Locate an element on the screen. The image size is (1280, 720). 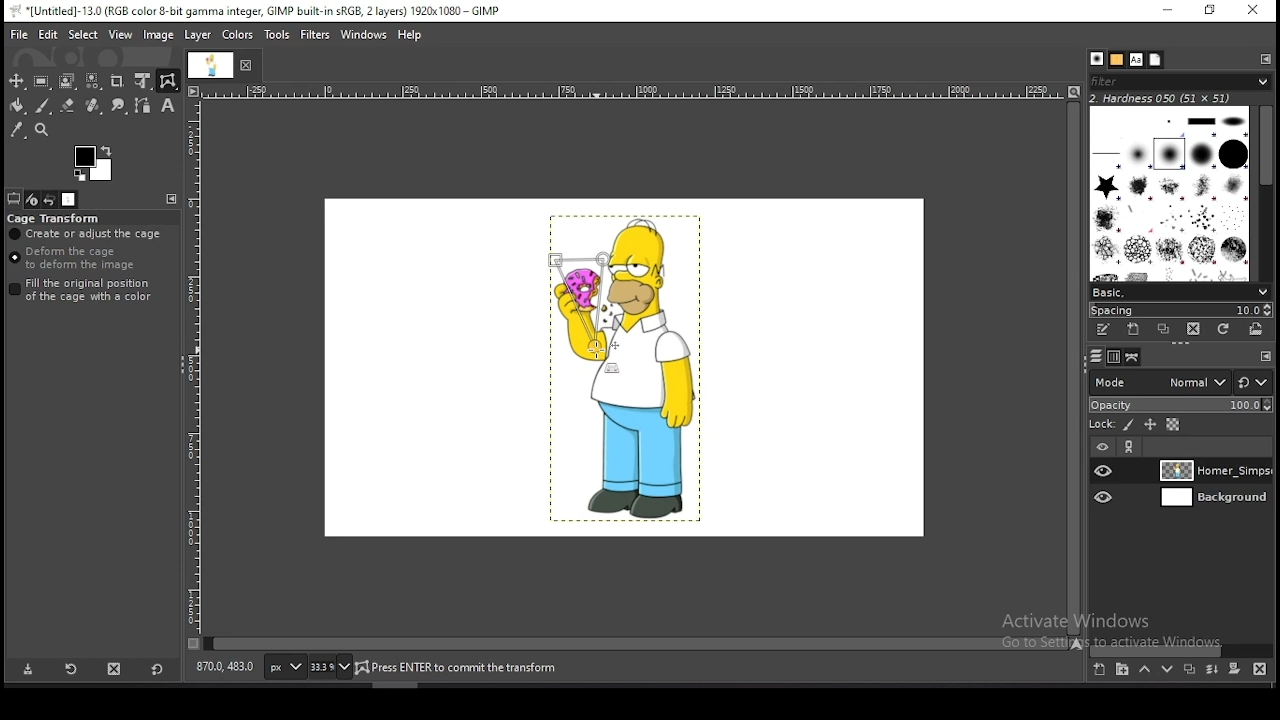
smudge tool is located at coordinates (117, 105).